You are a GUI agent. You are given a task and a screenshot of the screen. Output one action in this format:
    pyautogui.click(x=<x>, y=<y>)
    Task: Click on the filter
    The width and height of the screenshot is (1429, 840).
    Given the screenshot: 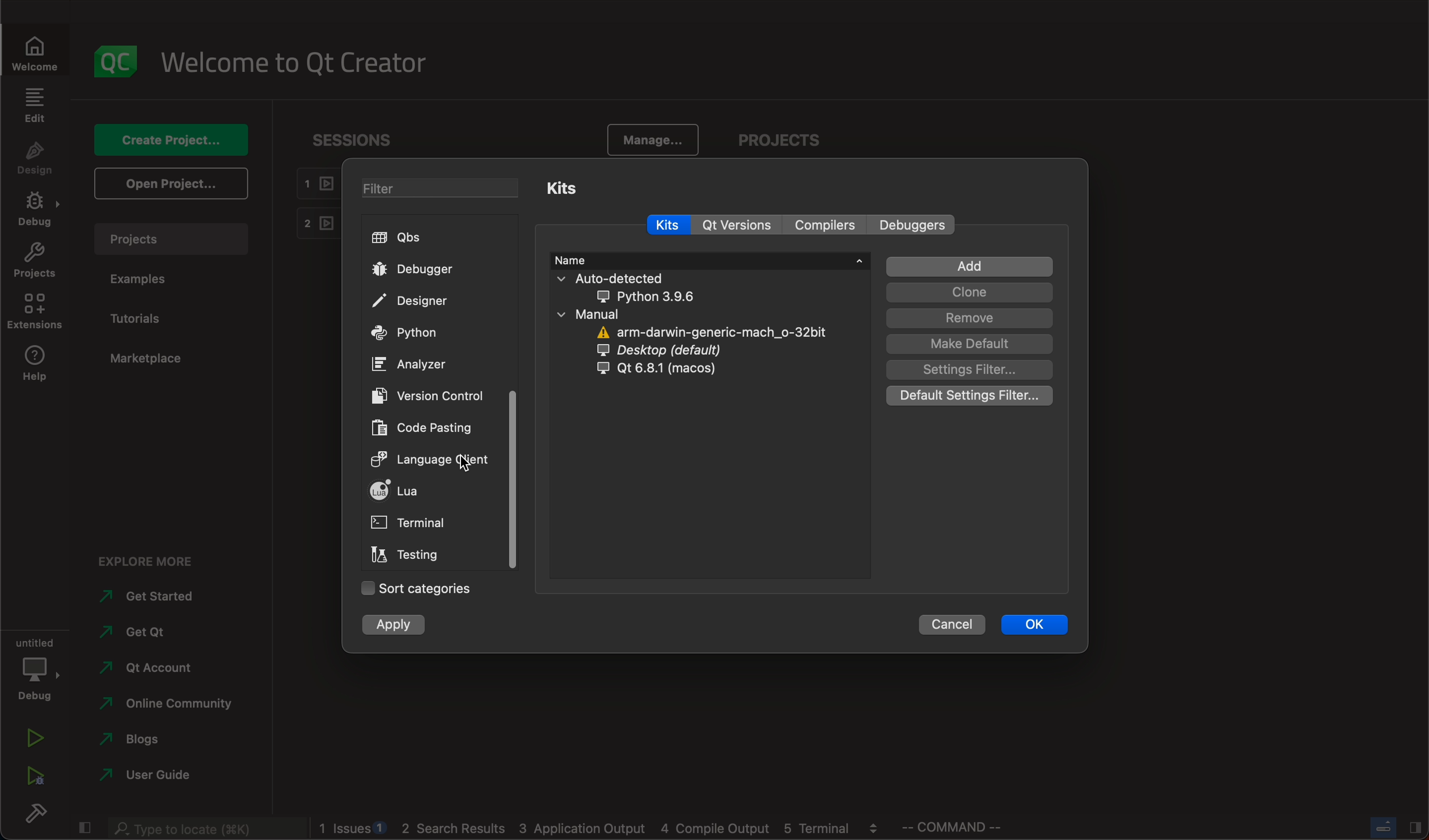 What is the action you would take?
    pyautogui.click(x=970, y=370)
    